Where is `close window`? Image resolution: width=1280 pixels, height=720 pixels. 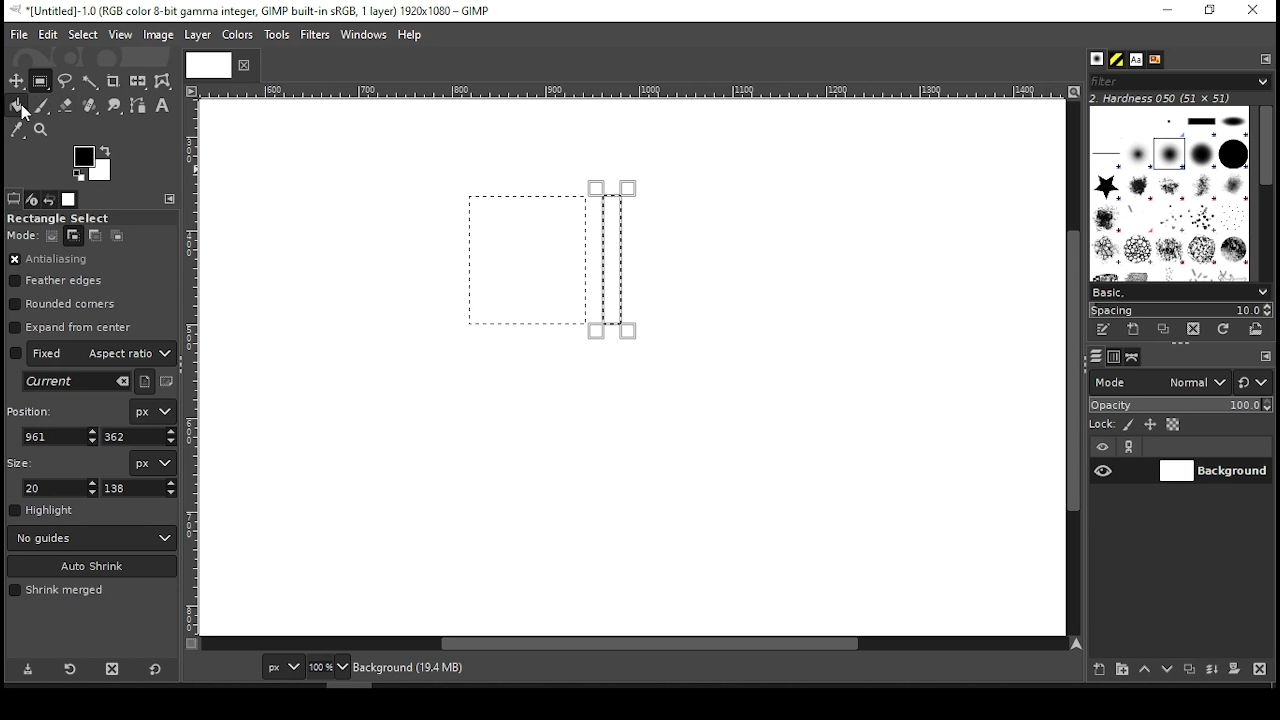
close window is located at coordinates (1252, 11).